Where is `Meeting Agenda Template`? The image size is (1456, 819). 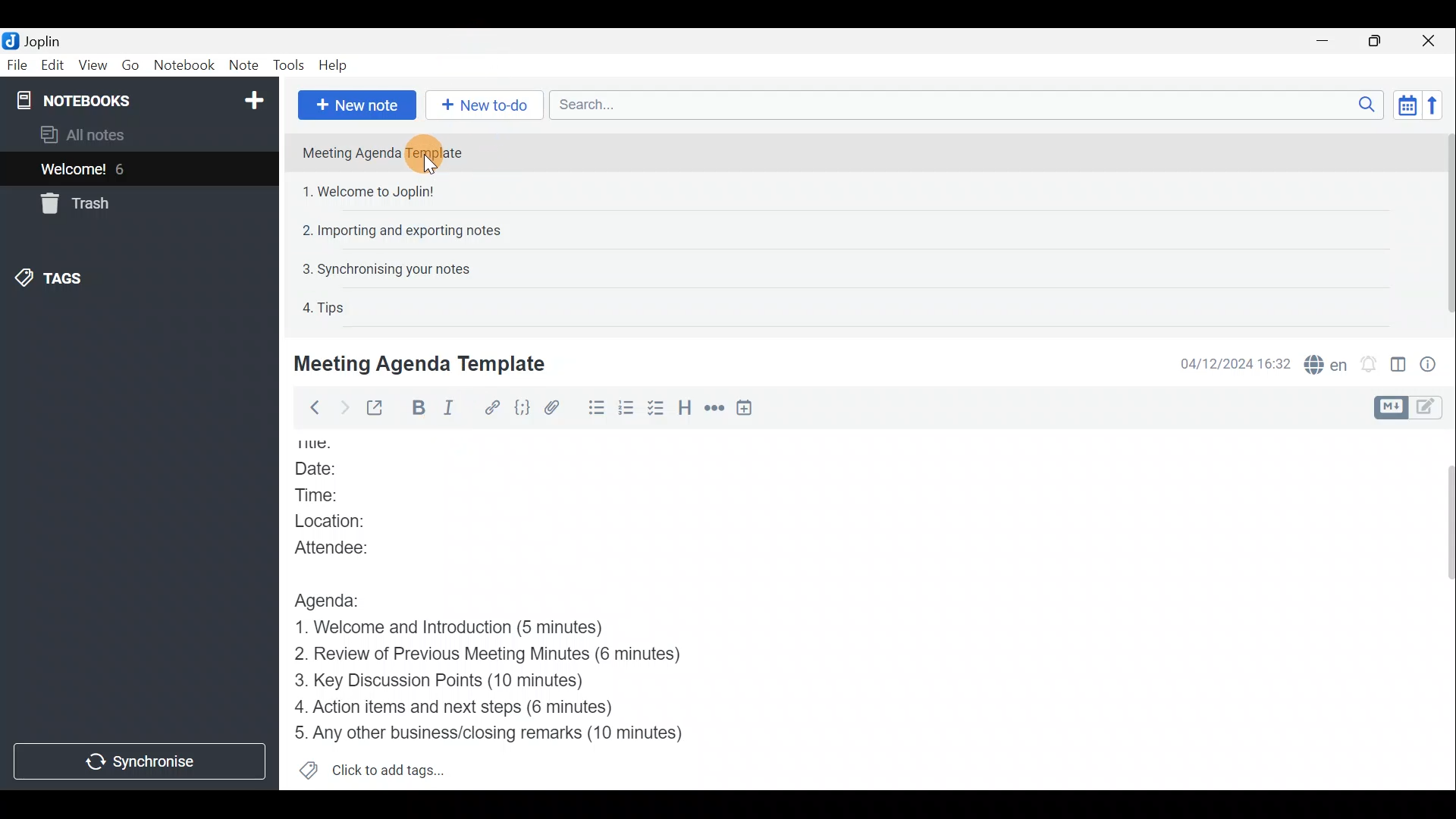 Meeting Agenda Template is located at coordinates (422, 363).